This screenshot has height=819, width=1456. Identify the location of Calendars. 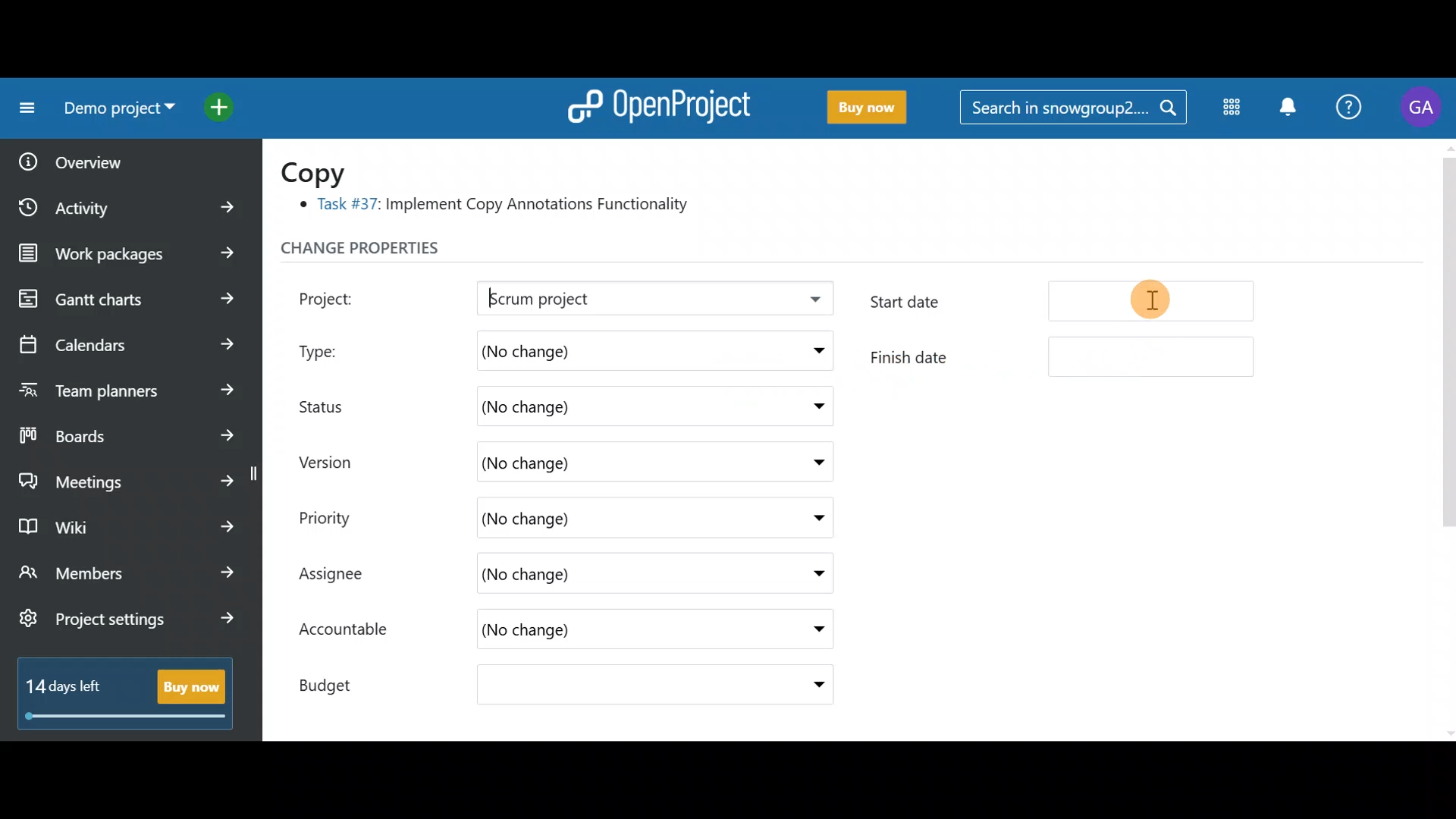
(126, 338).